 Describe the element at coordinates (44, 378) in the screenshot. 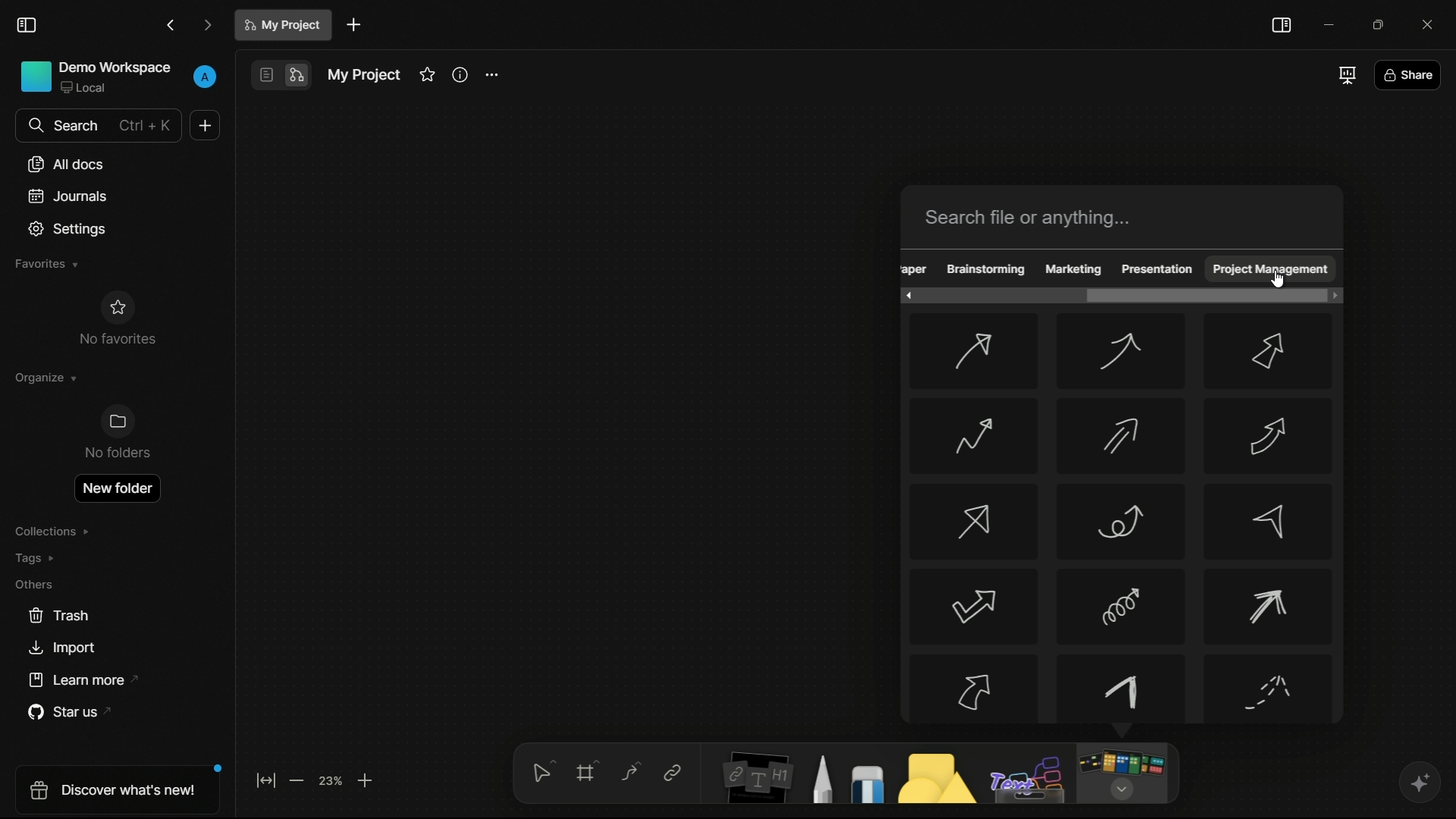

I see `organize` at that location.